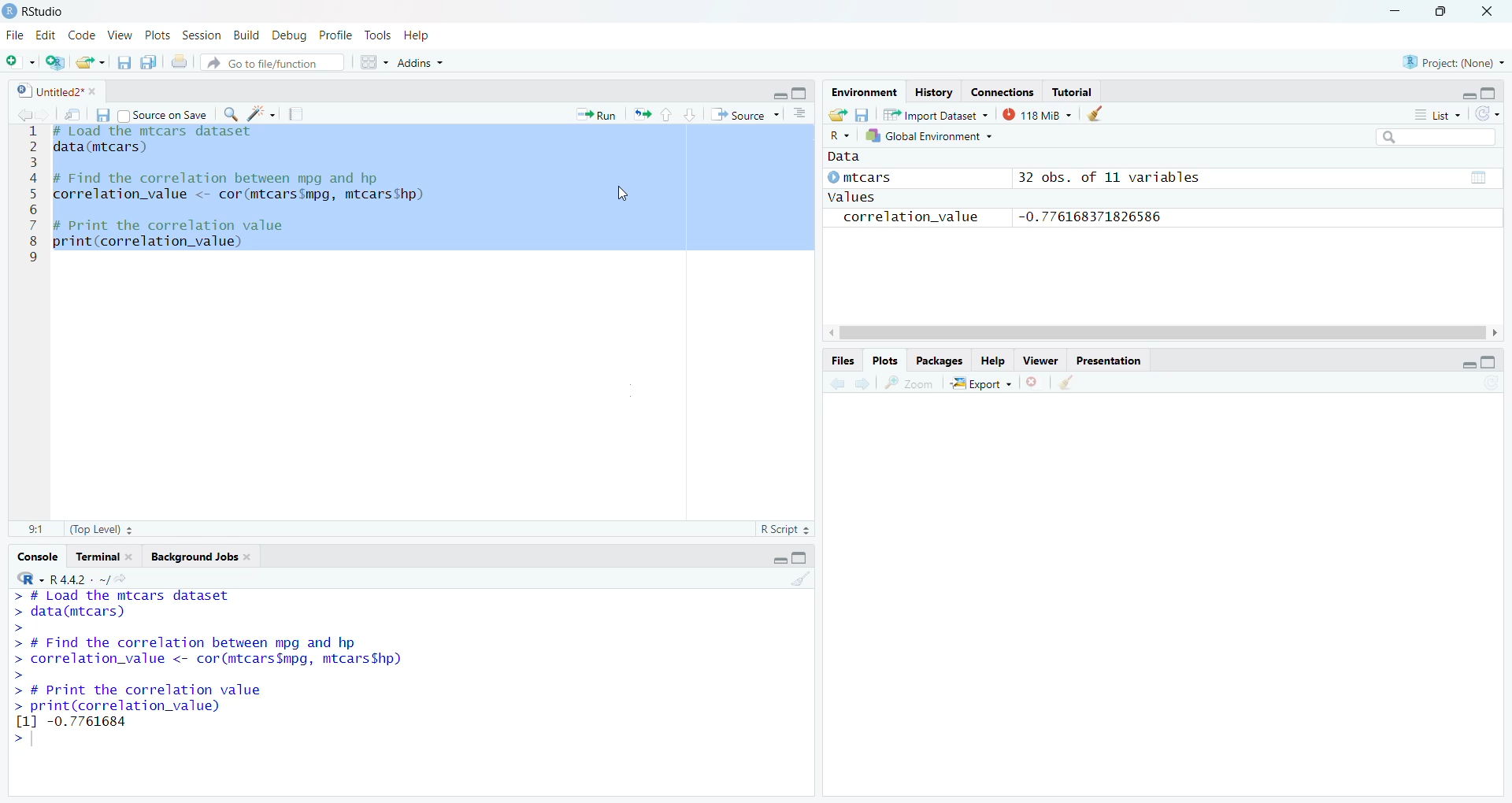  I want to click on Maximize/Restore, so click(1490, 364).